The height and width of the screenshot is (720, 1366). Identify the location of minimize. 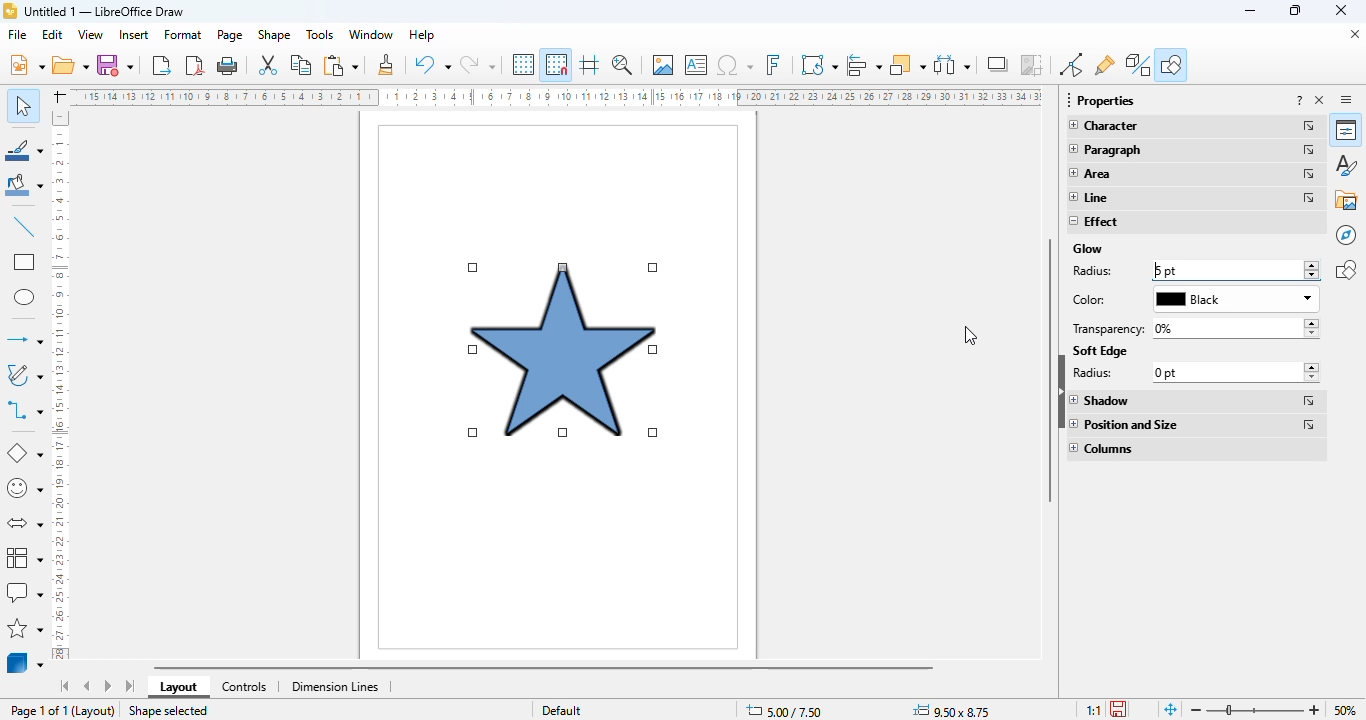
(1252, 11).